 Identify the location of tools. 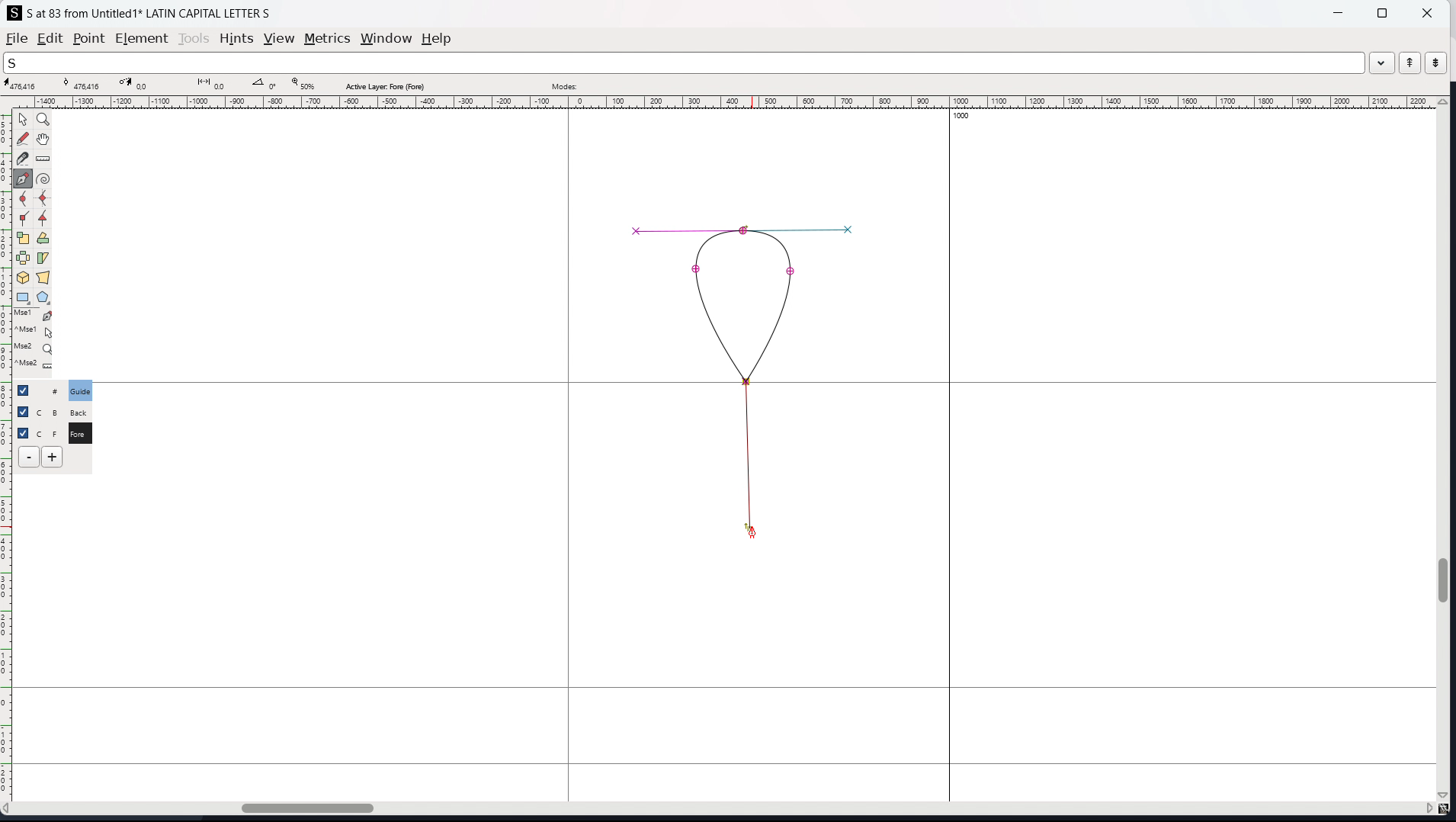
(195, 38).